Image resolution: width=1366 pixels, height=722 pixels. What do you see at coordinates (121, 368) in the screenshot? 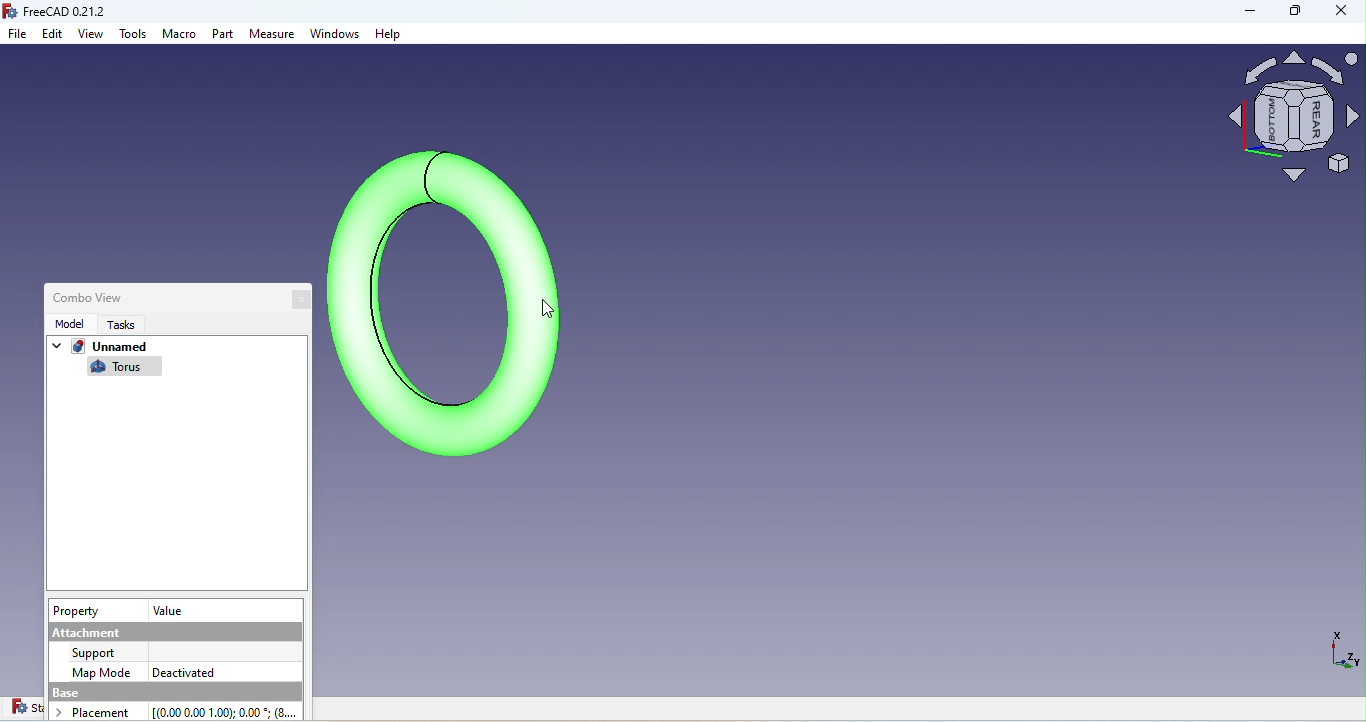
I see `Torus` at bounding box center [121, 368].